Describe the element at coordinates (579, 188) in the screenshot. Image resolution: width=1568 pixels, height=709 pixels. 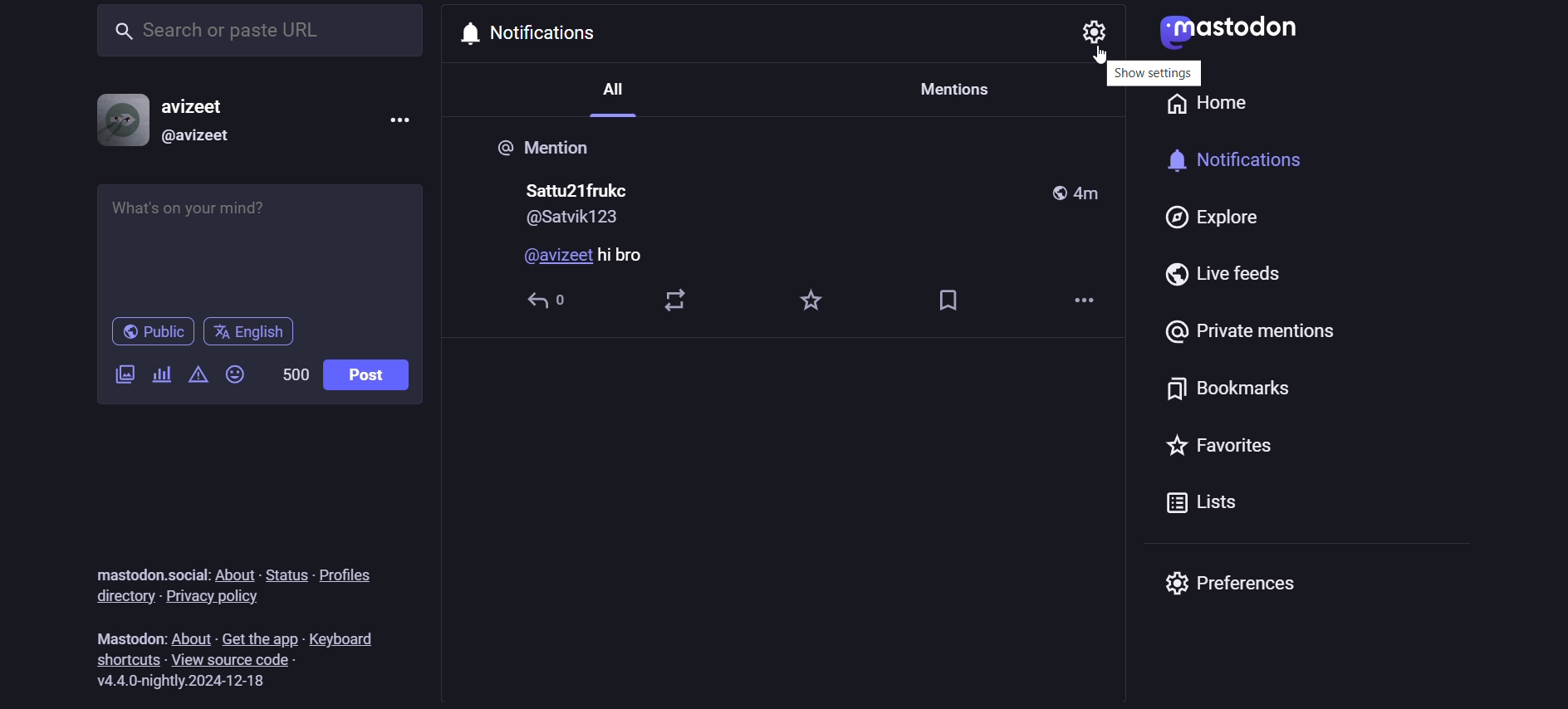
I see `Sattu21frukc` at that location.